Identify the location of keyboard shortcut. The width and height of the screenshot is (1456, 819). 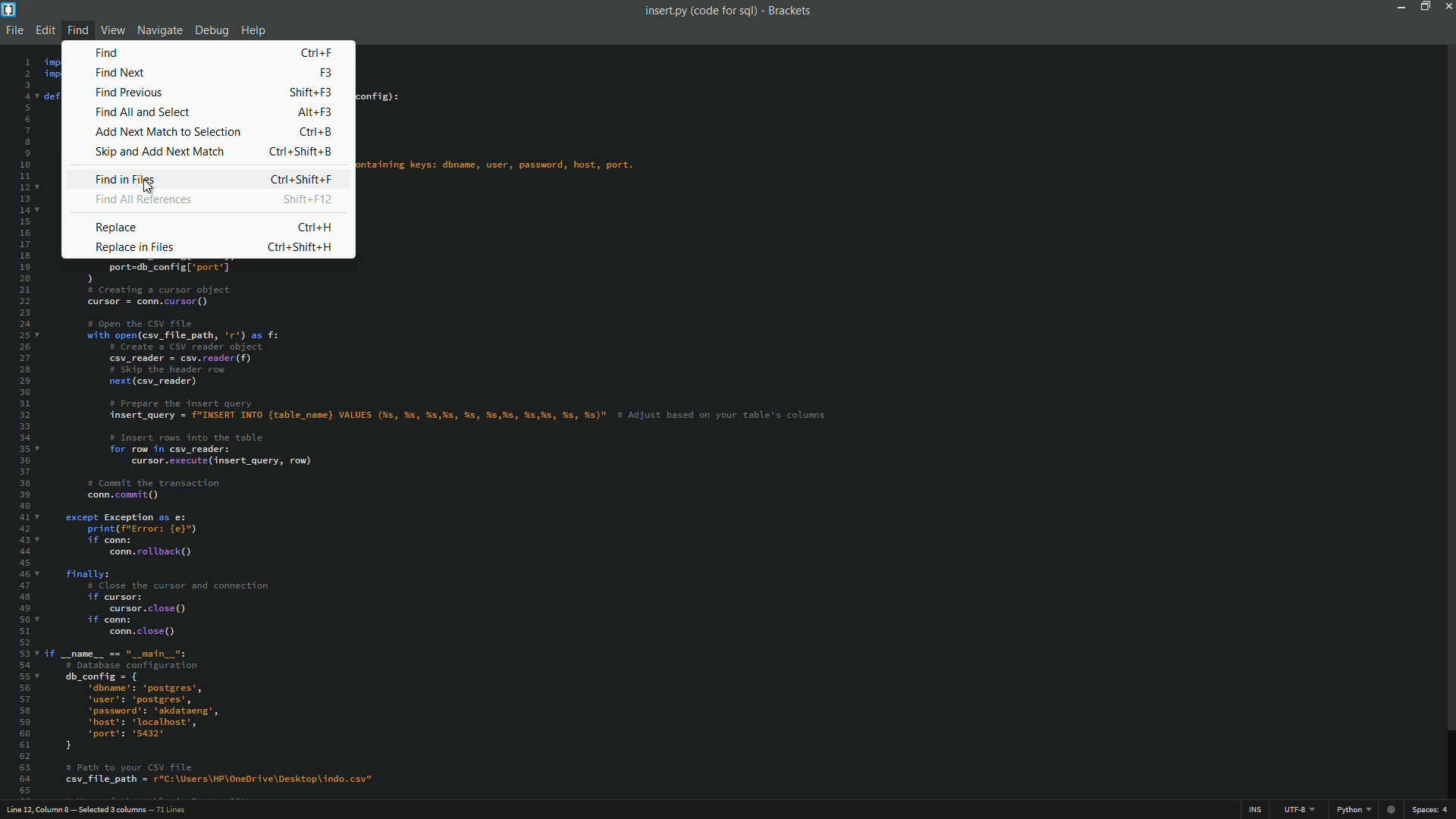
(308, 200).